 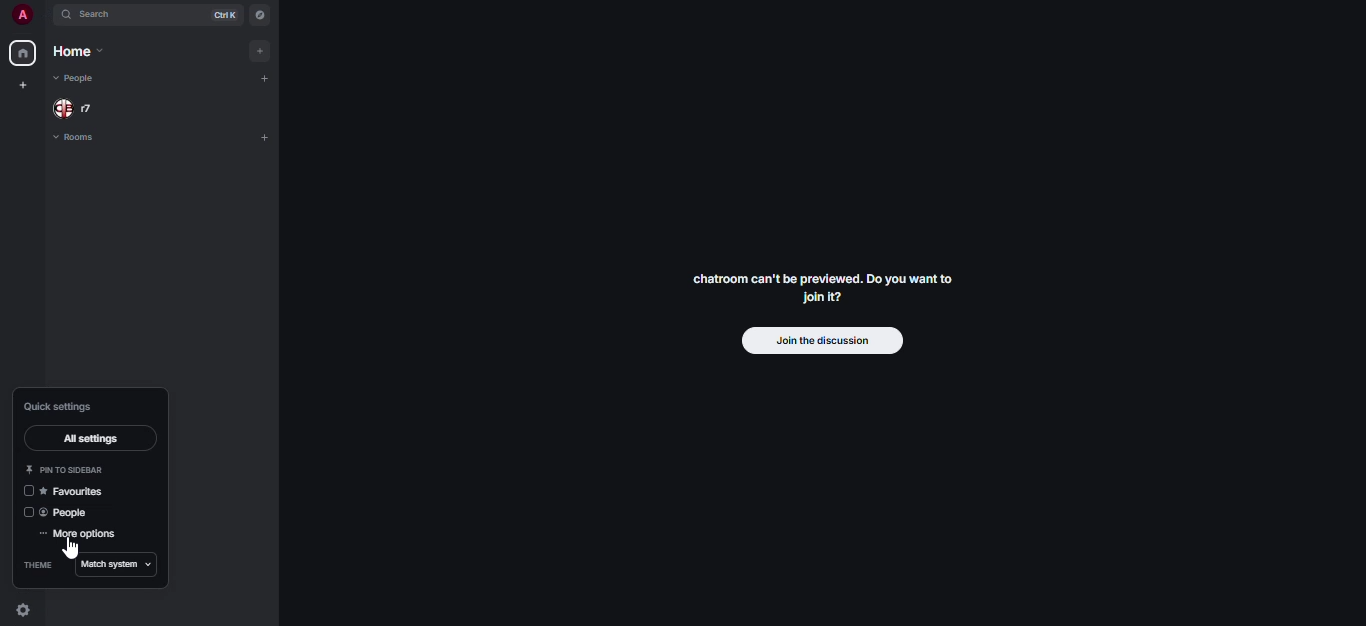 What do you see at coordinates (262, 12) in the screenshot?
I see `navigator` at bounding box center [262, 12].